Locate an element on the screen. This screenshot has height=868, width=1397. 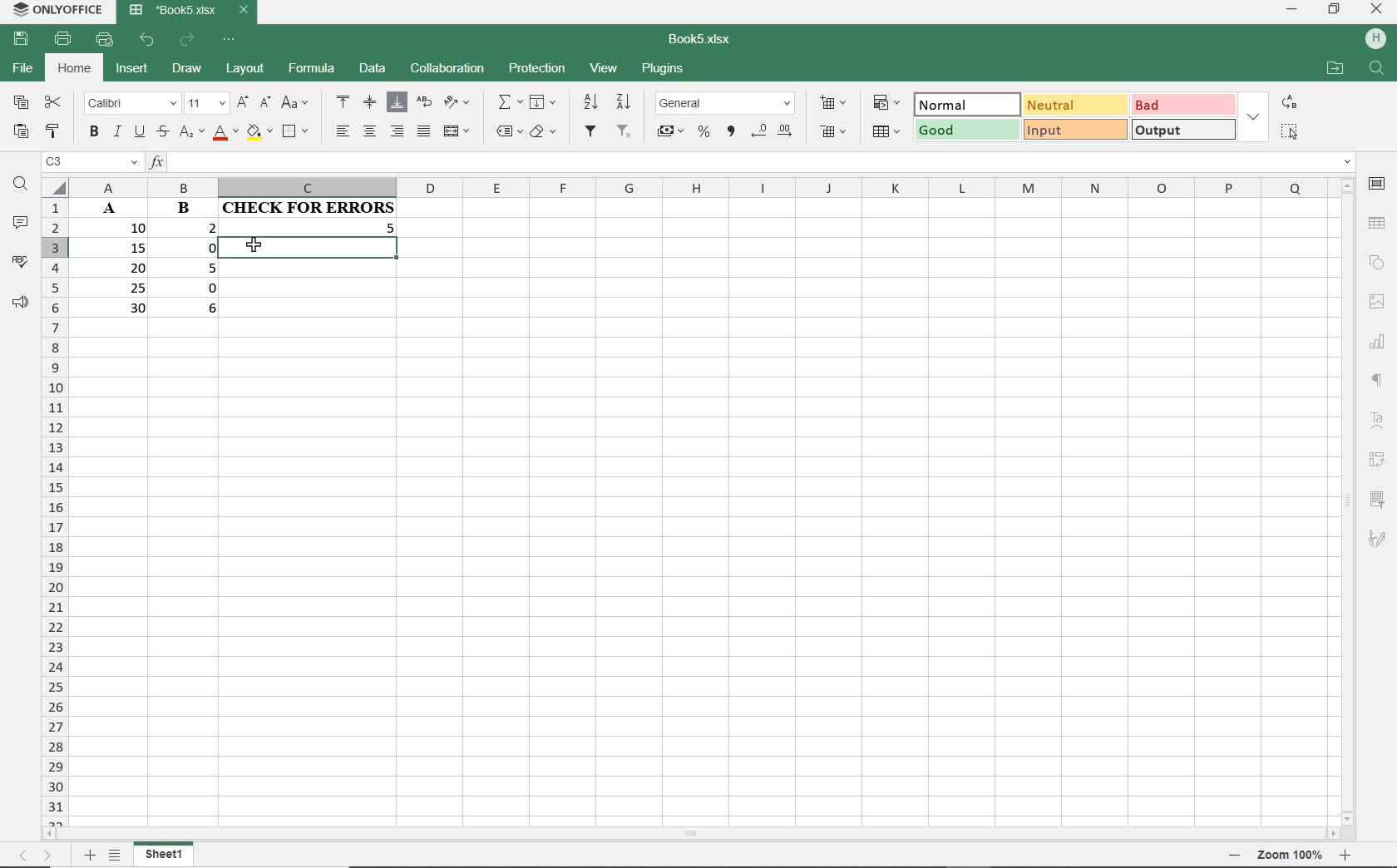
HP is located at coordinates (1376, 39).